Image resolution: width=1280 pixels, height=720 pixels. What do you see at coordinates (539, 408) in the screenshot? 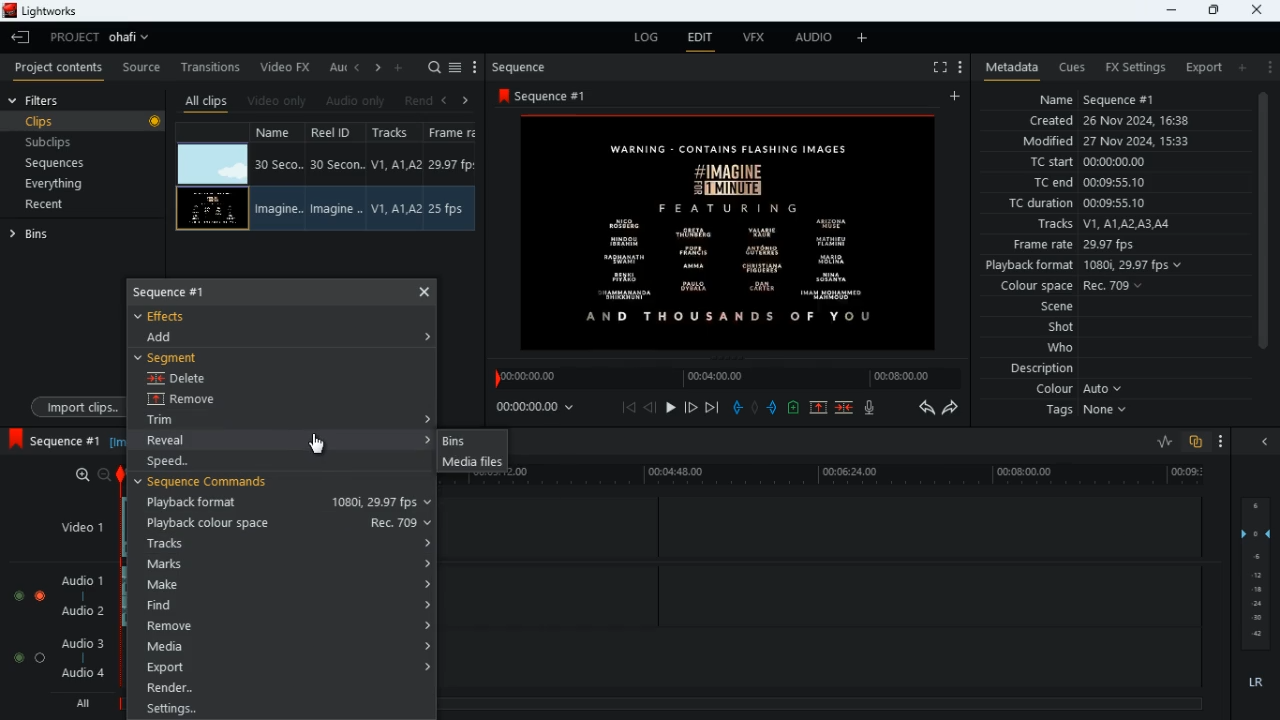
I see `time` at bounding box center [539, 408].